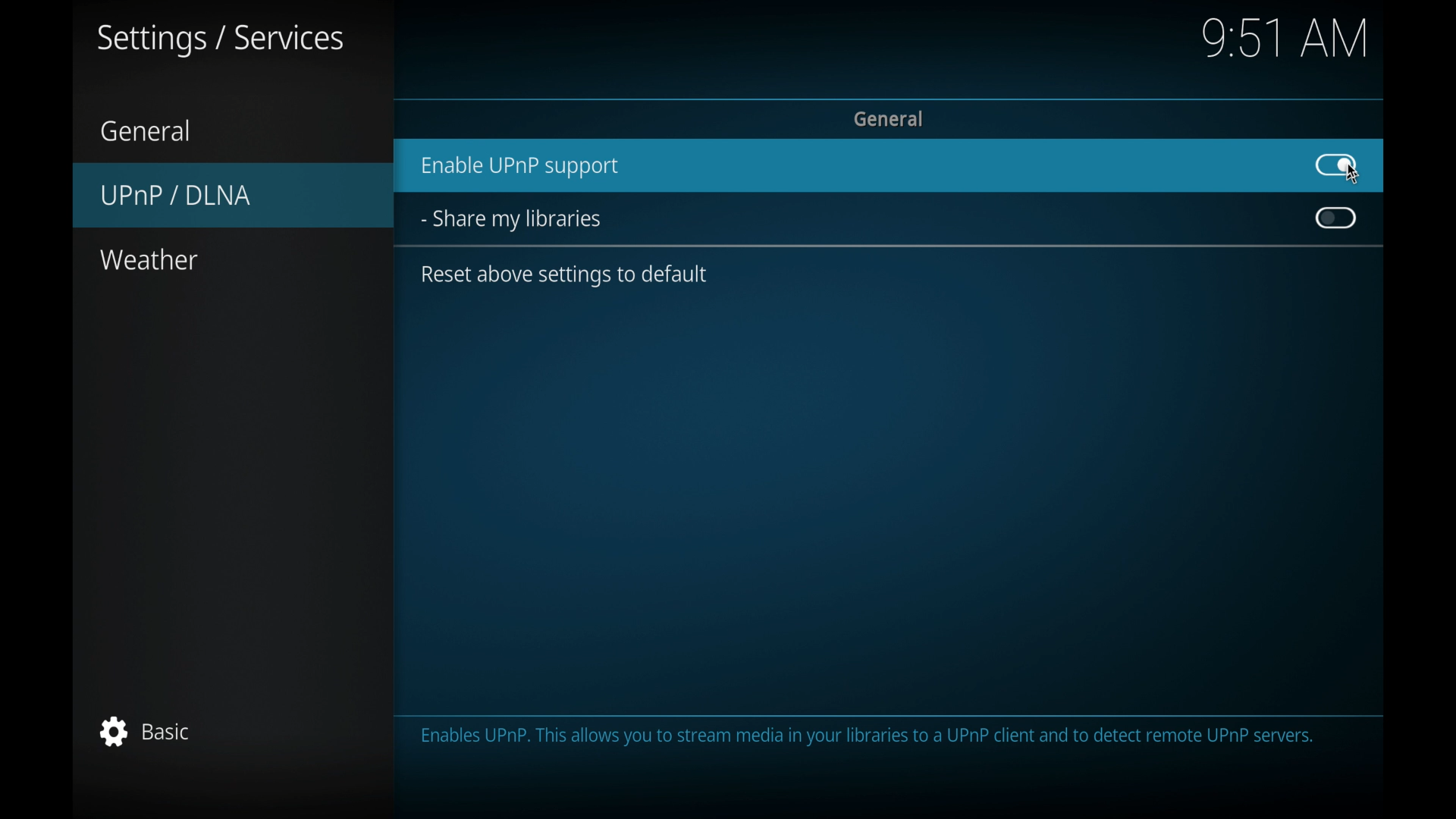  Describe the element at coordinates (884, 748) in the screenshot. I see `info` at that location.